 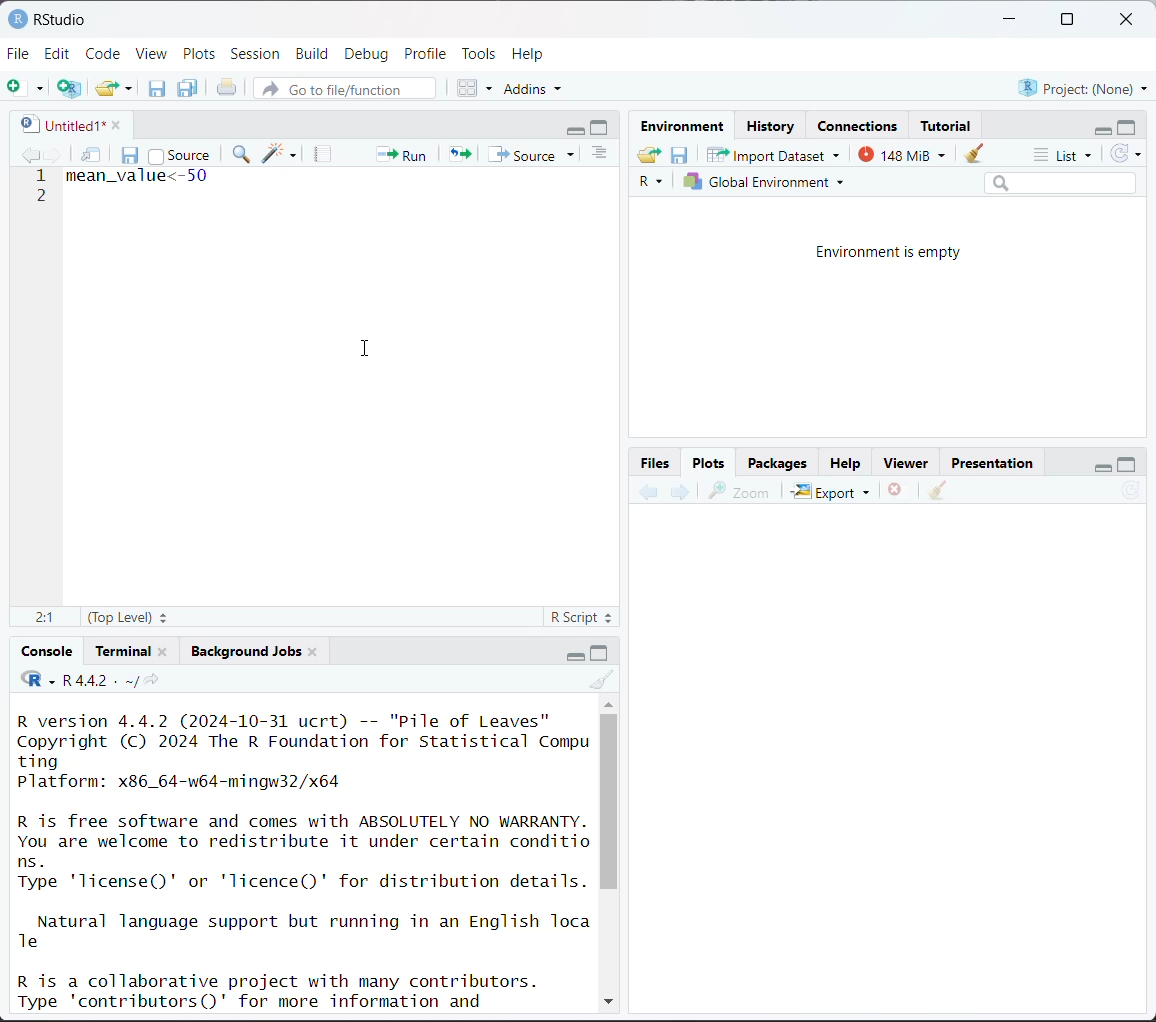 I want to click on View, so click(x=152, y=55).